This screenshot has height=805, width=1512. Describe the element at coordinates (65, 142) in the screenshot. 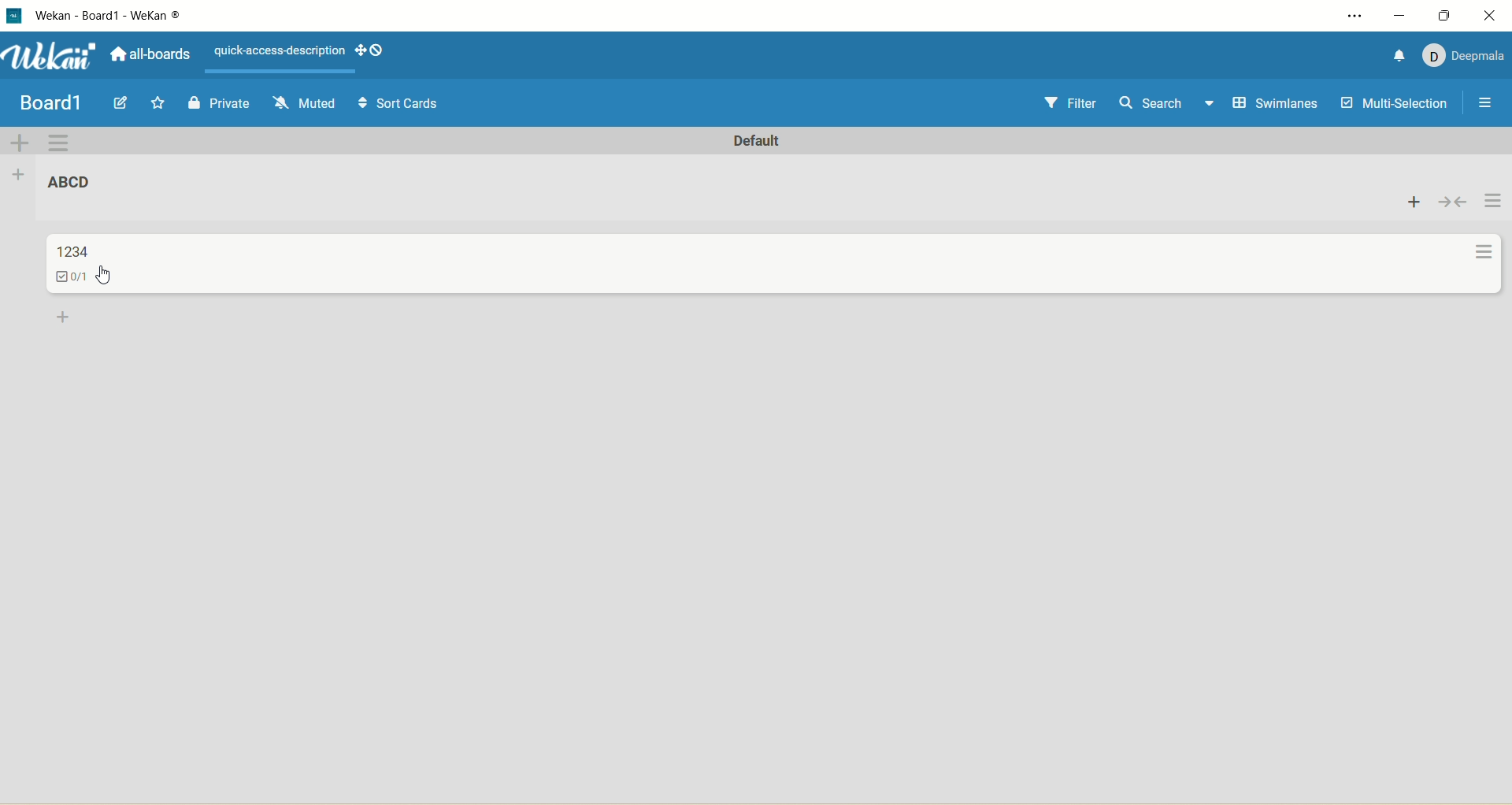

I see `swimlane action` at that location.